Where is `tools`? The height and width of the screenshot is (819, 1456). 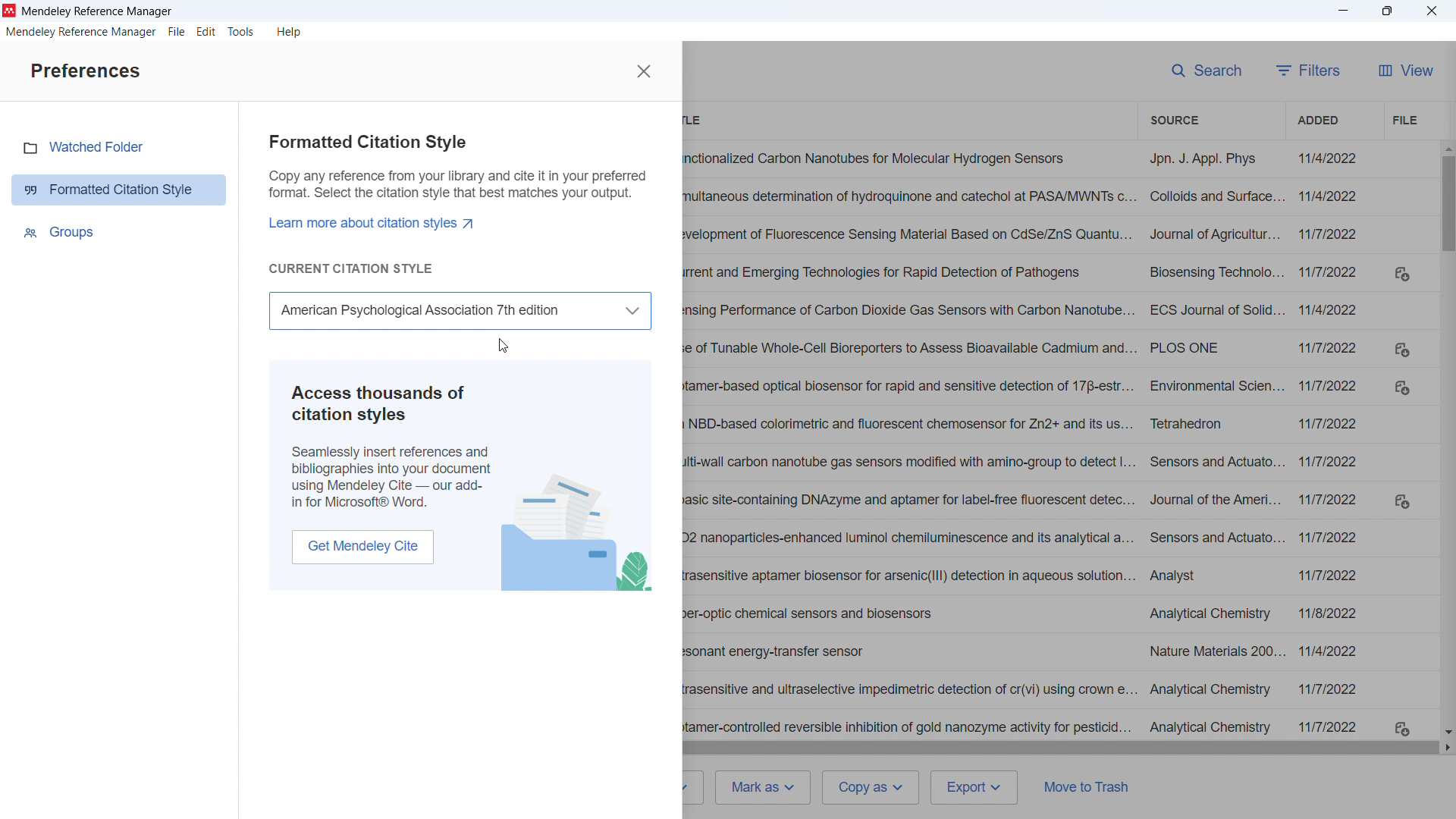
tools is located at coordinates (241, 31).